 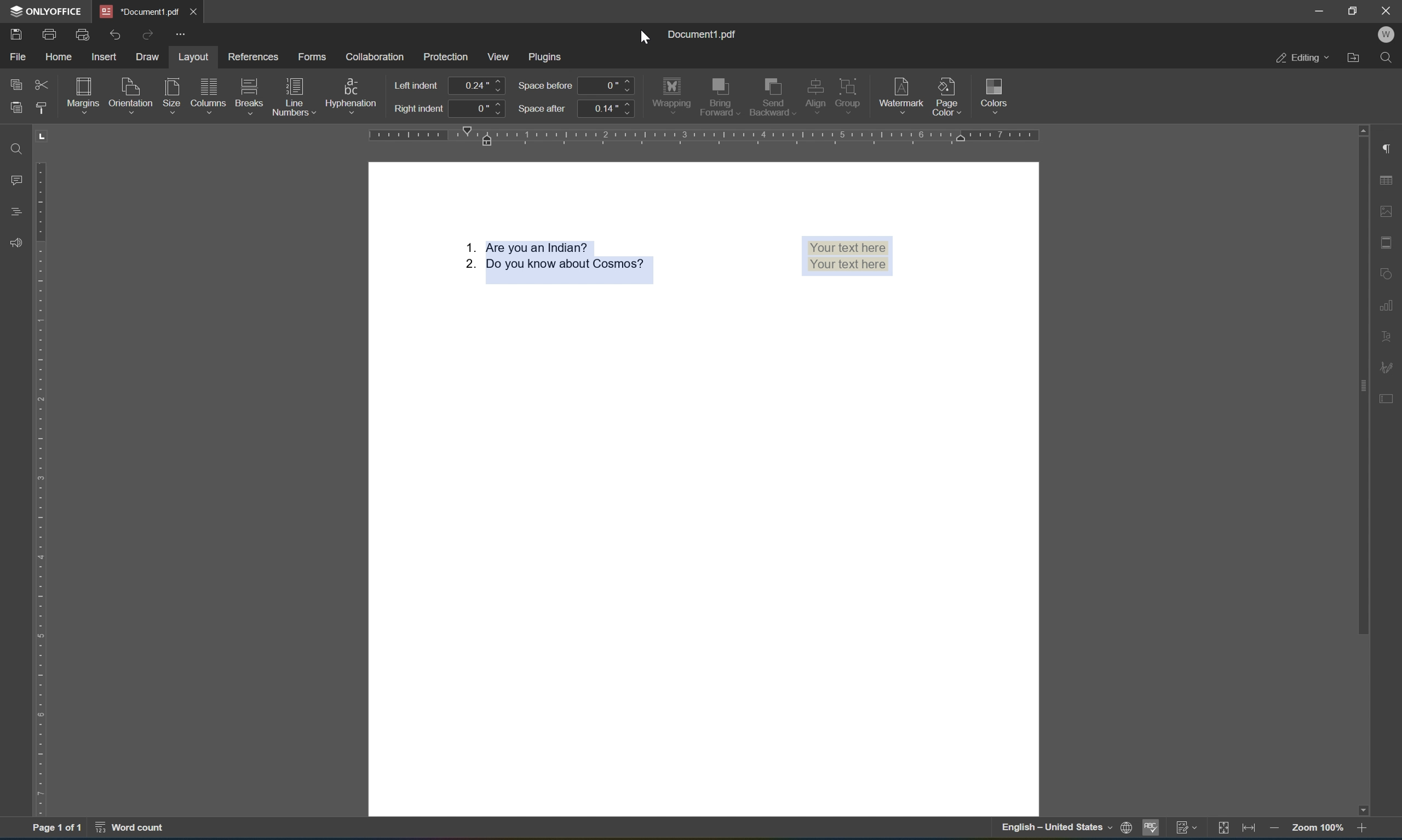 What do you see at coordinates (1365, 380) in the screenshot?
I see `scroll bar` at bounding box center [1365, 380].